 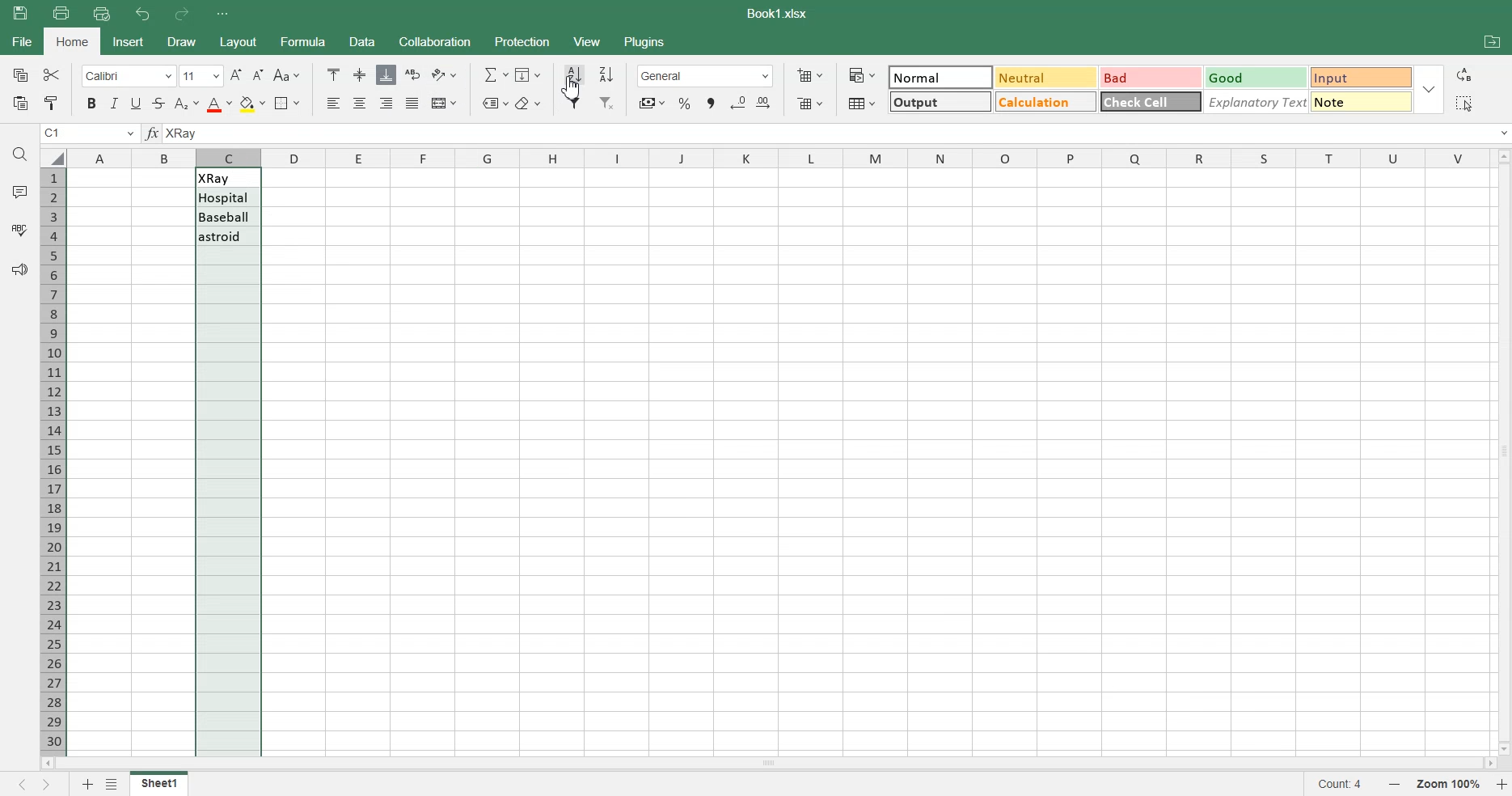 I want to click on Undo, so click(x=144, y=15).